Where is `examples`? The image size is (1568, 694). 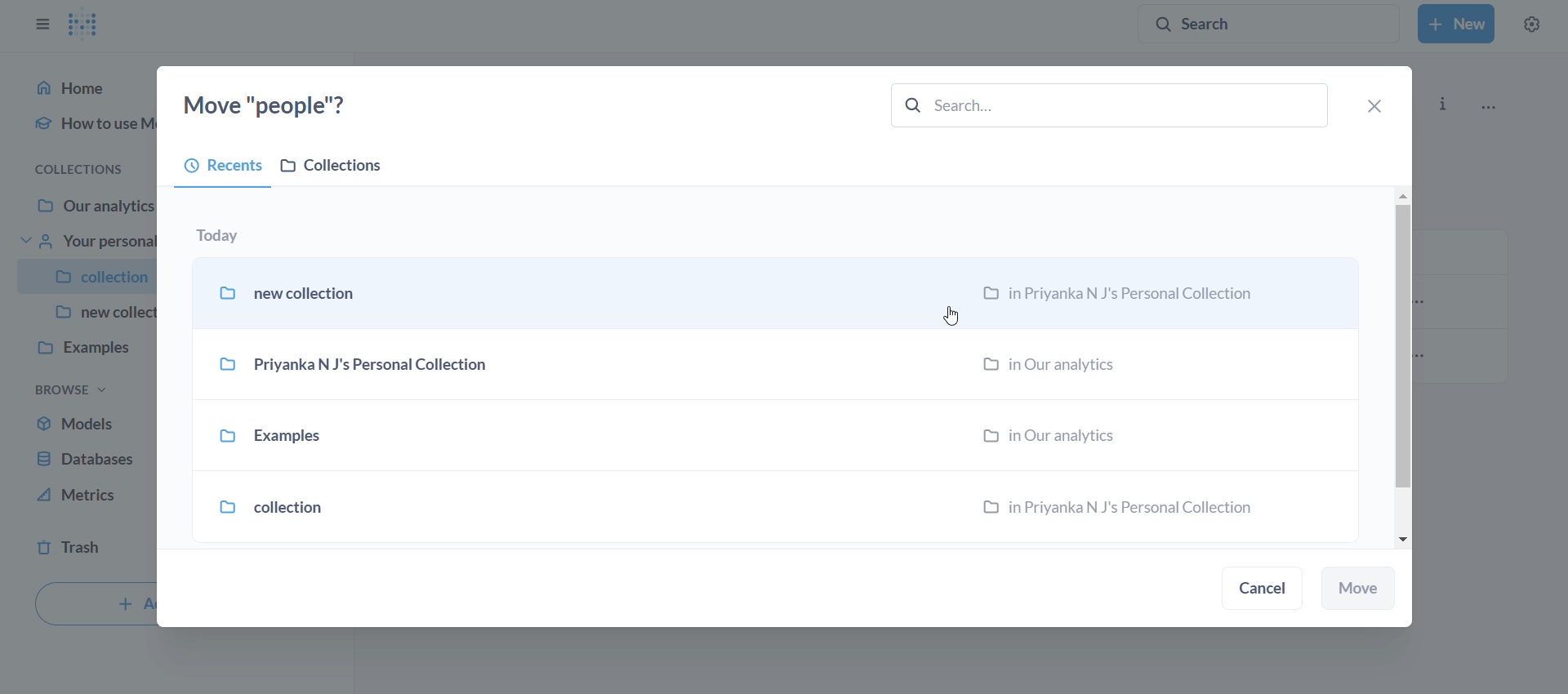
examples is located at coordinates (74, 348).